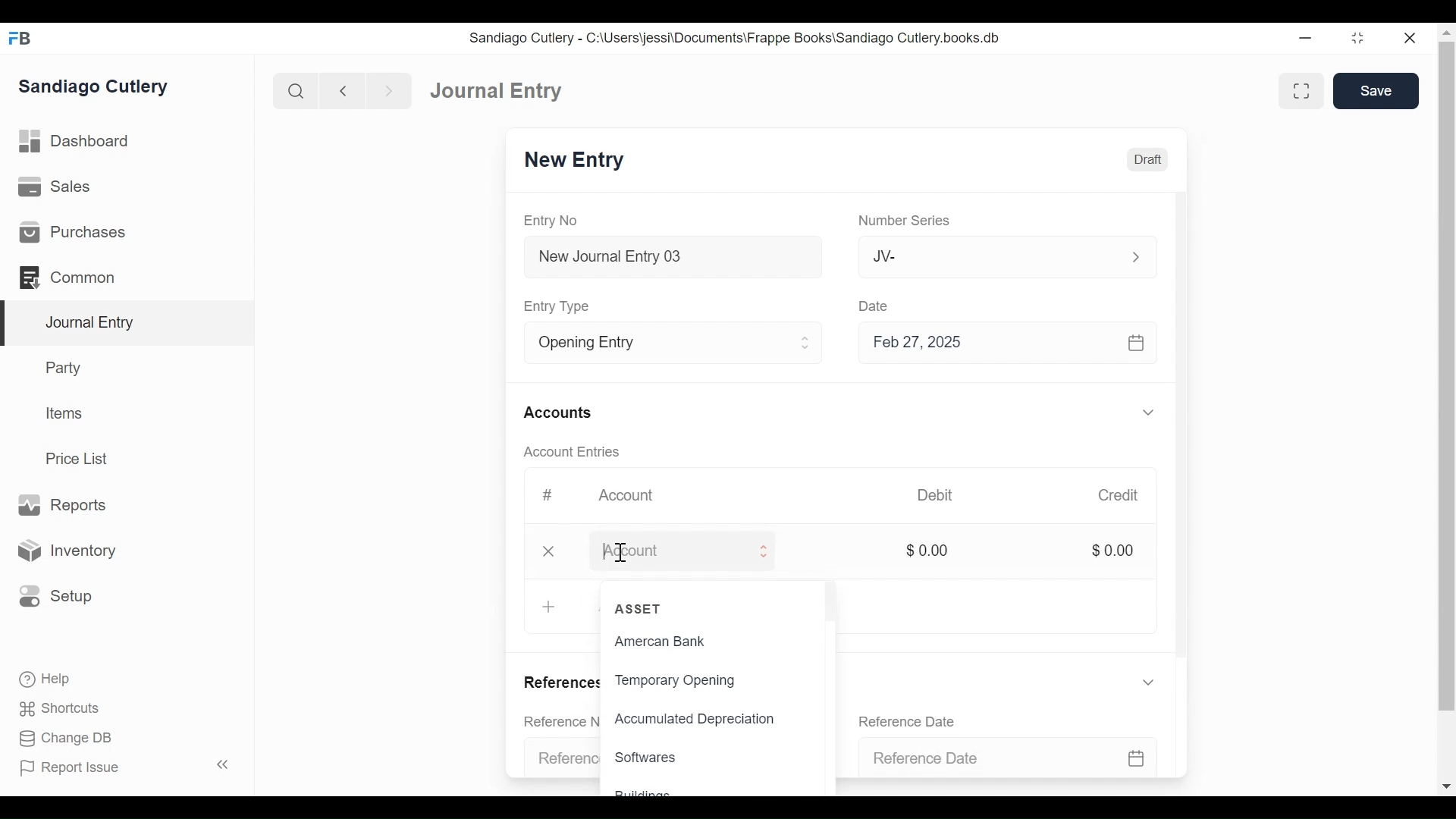 This screenshot has width=1456, height=819. Describe the element at coordinates (557, 413) in the screenshot. I see `Accounts` at that location.